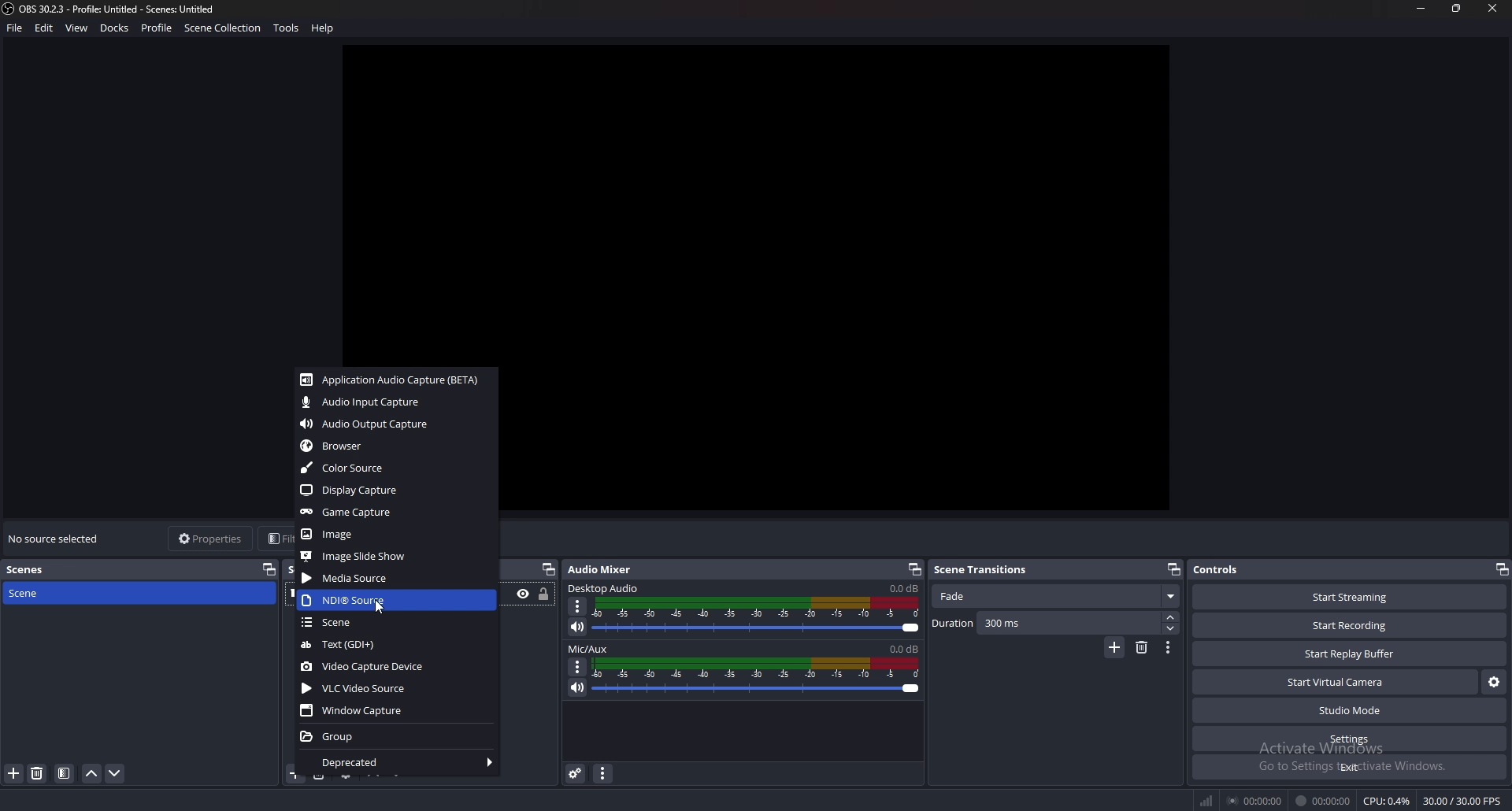 The height and width of the screenshot is (811, 1512). Describe the element at coordinates (1348, 654) in the screenshot. I see `start replay buffer` at that location.